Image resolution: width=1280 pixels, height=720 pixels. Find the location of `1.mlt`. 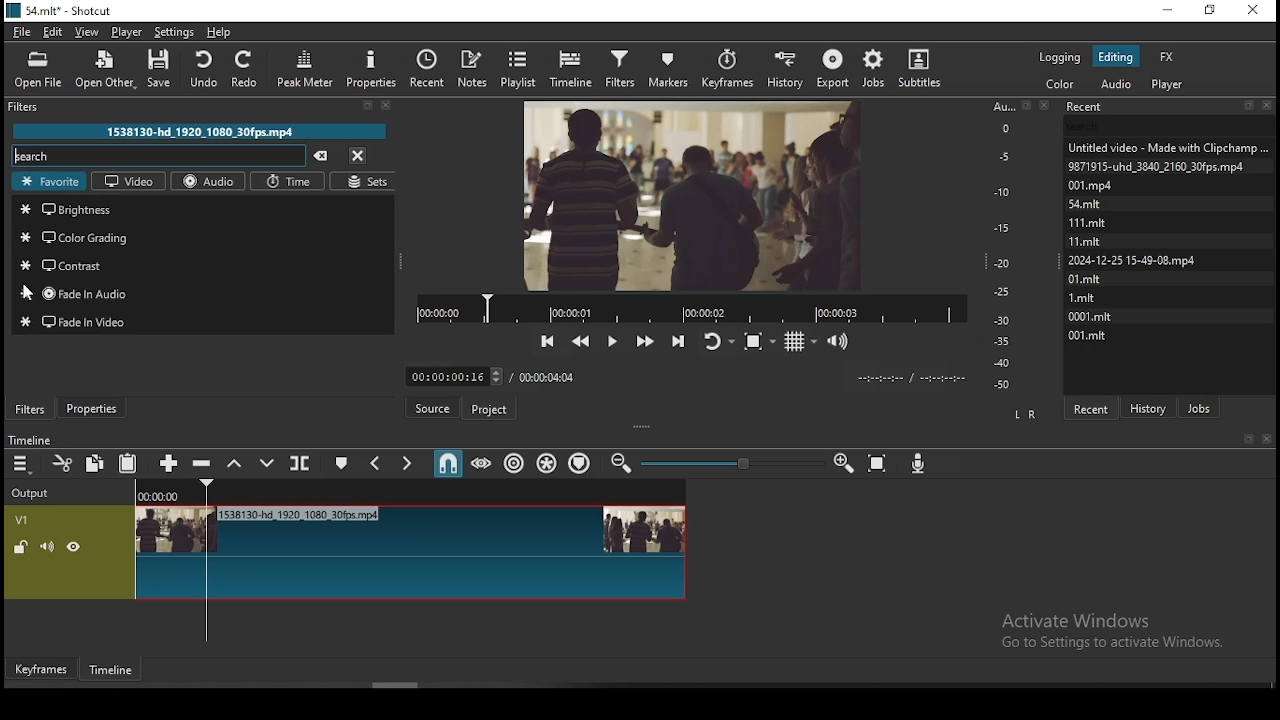

1.mlt is located at coordinates (1086, 297).